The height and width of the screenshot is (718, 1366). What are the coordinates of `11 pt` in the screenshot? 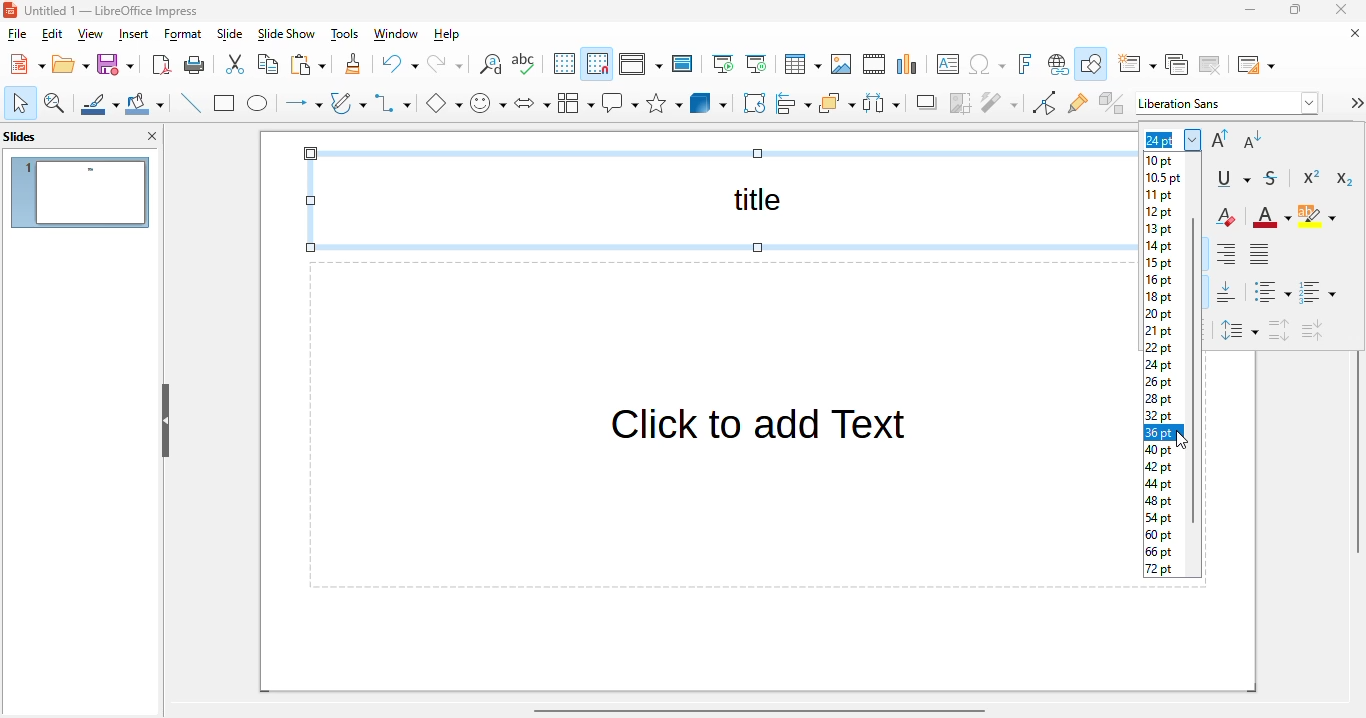 It's located at (1160, 195).